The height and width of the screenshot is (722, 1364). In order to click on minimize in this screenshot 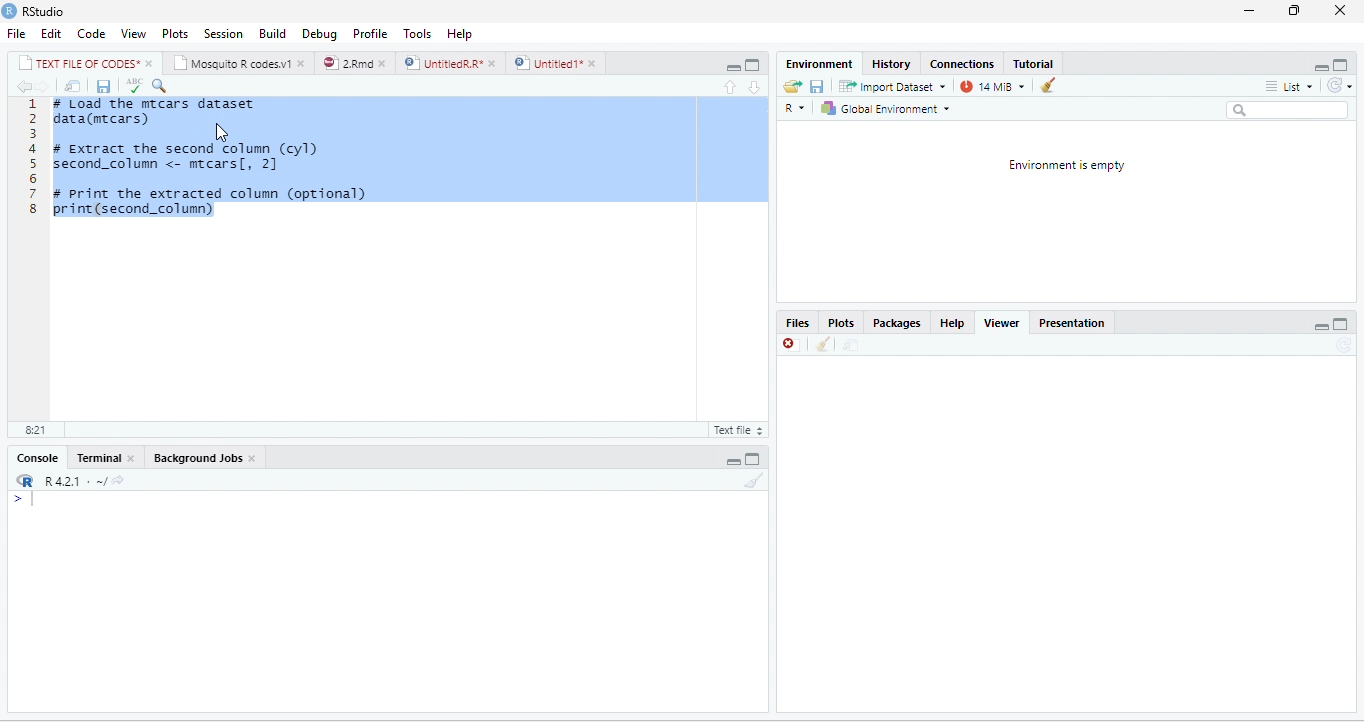, I will do `click(735, 457)`.